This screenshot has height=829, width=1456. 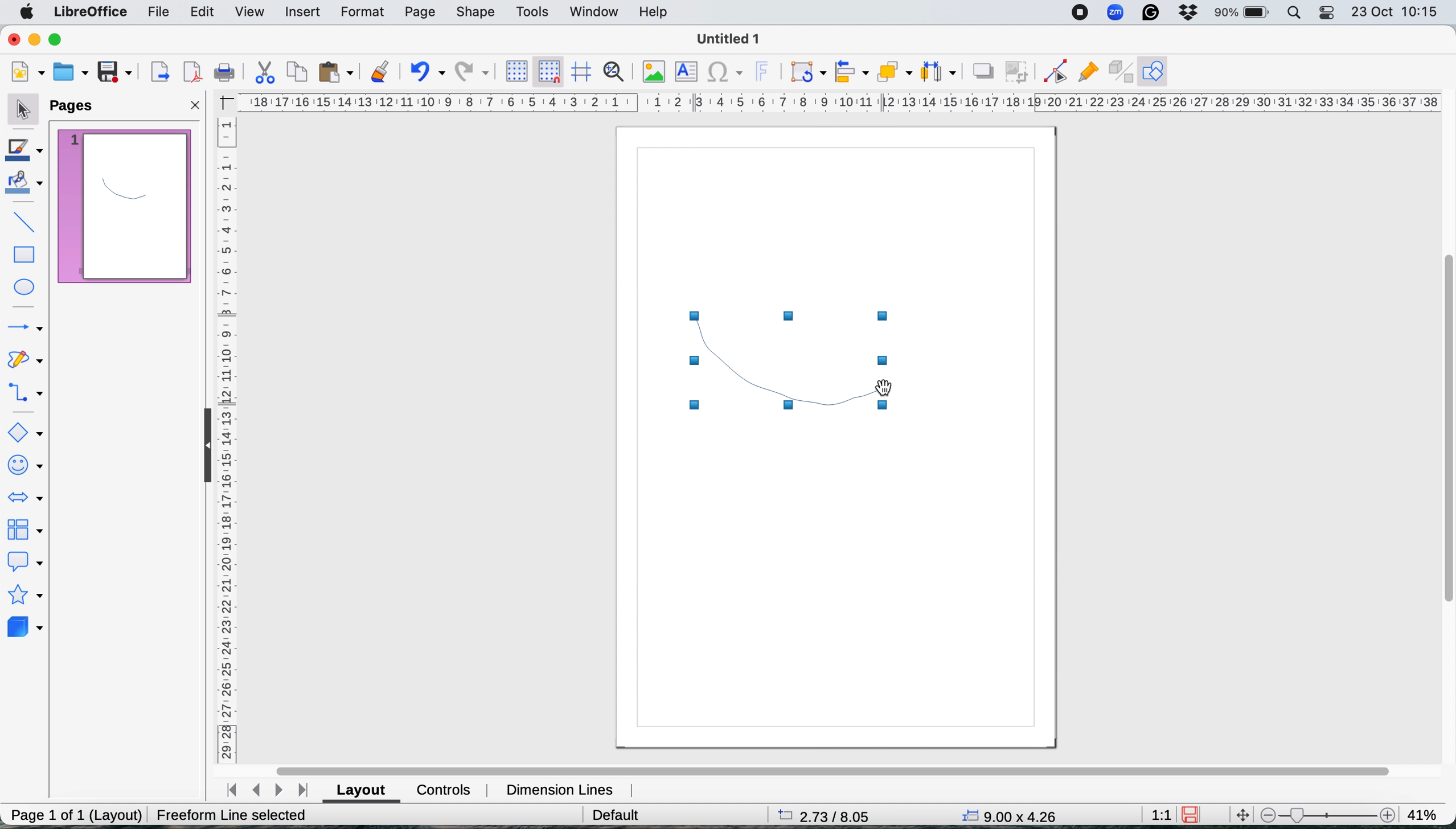 I want to click on align objects, so click(x=851, y=72).